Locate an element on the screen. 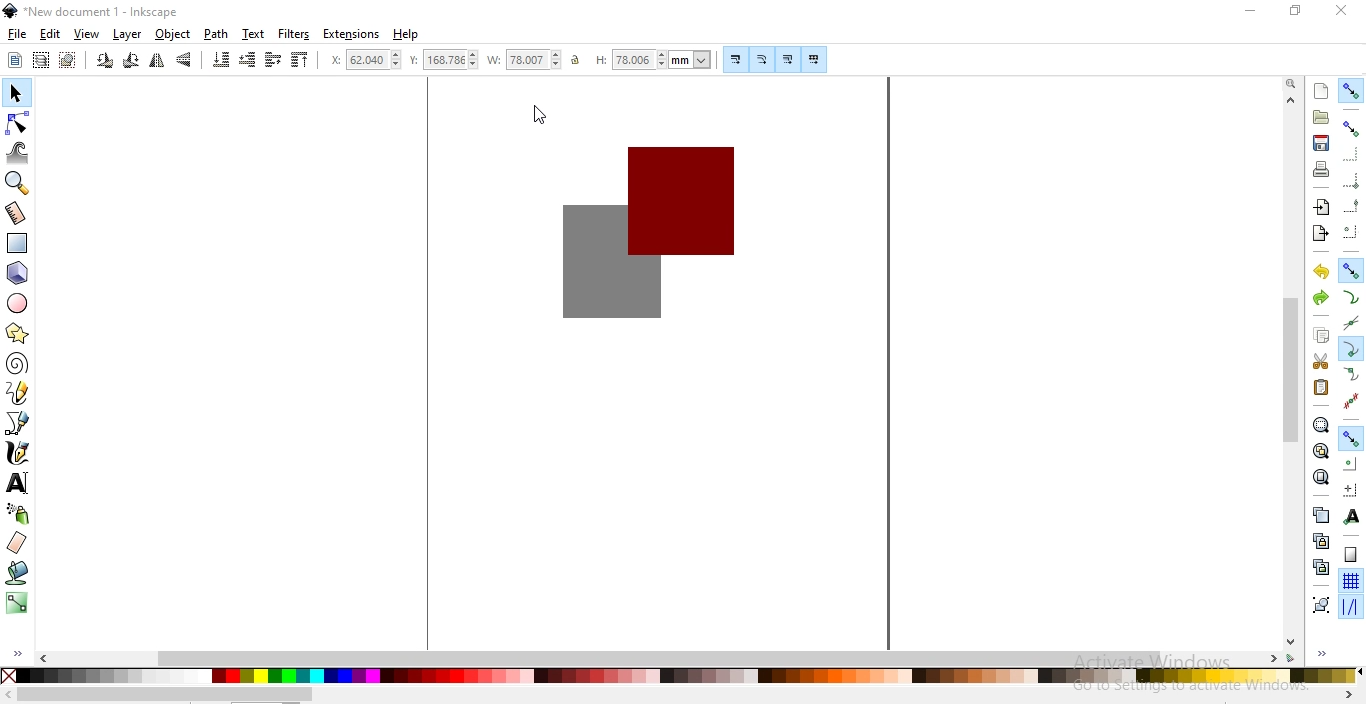 This screenshot has width=1366, height=704. snap text anchors and baselines is located at coordinates (1350, 518).